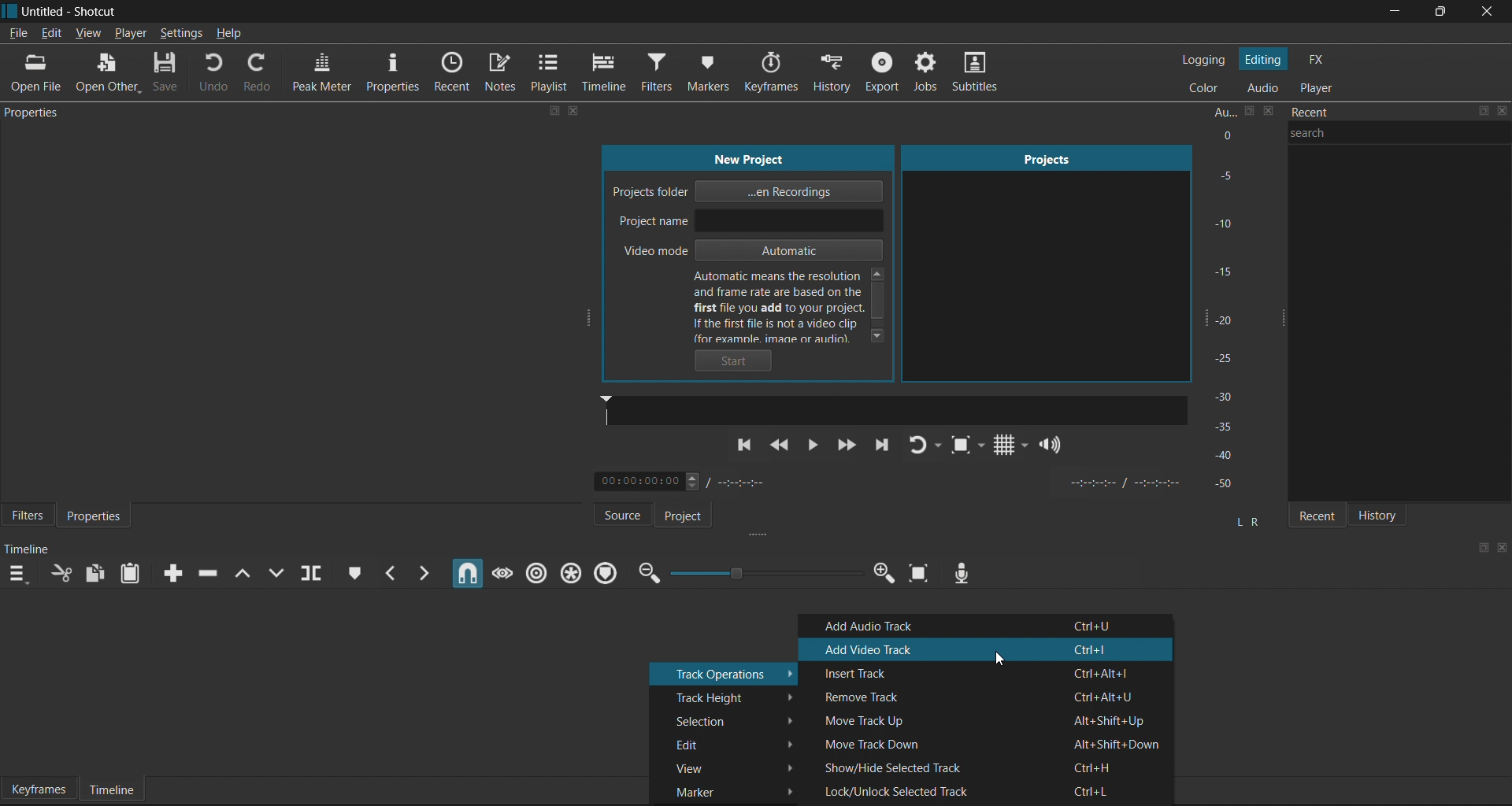 The width and height of the screenshot is (1512, 806). Describe the element at coordinates (845, 445) in the screenshot. I see `Fast Forward` at that location.